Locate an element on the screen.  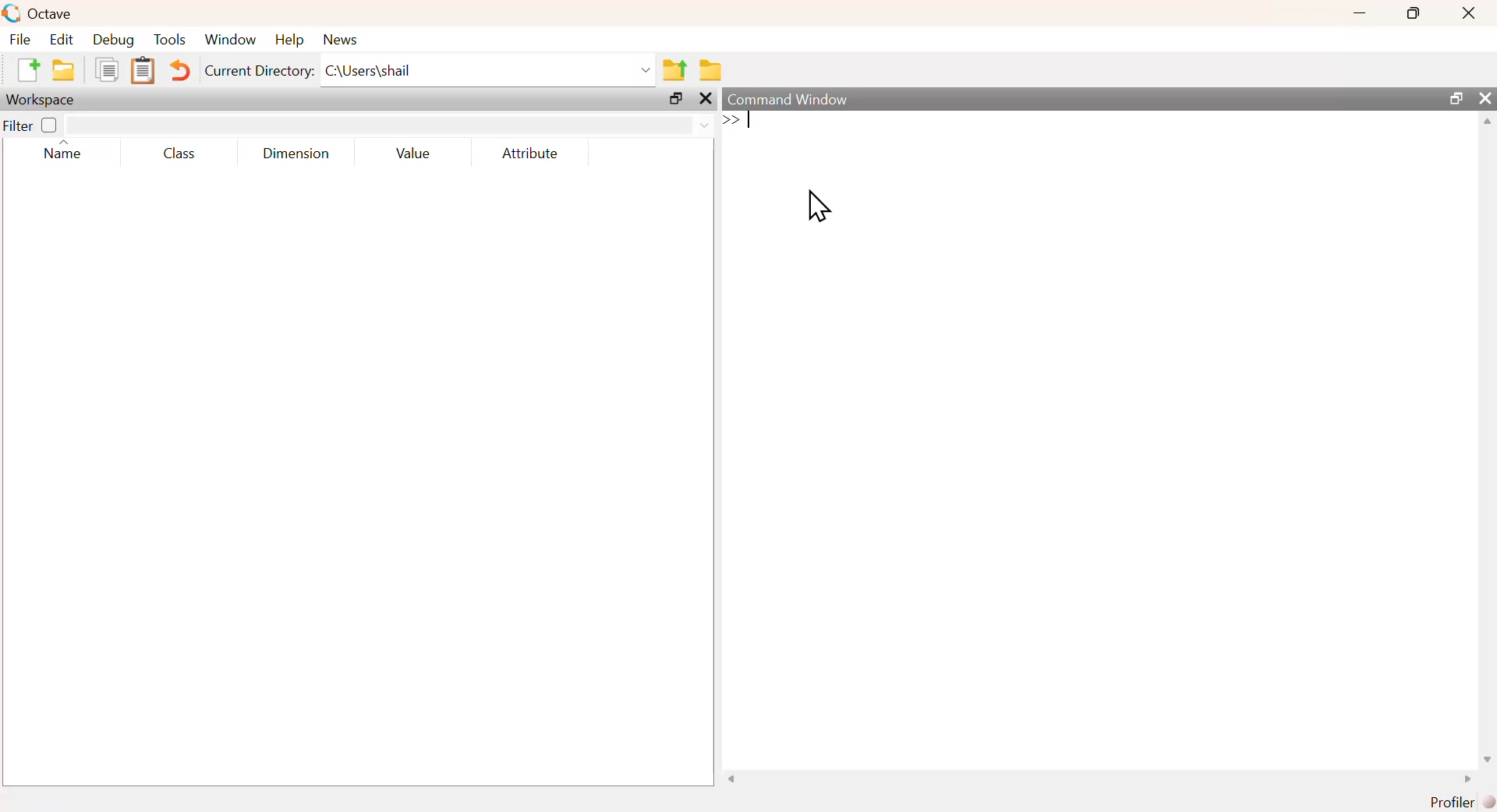
scroll up is located at coordinates (1486, 123).